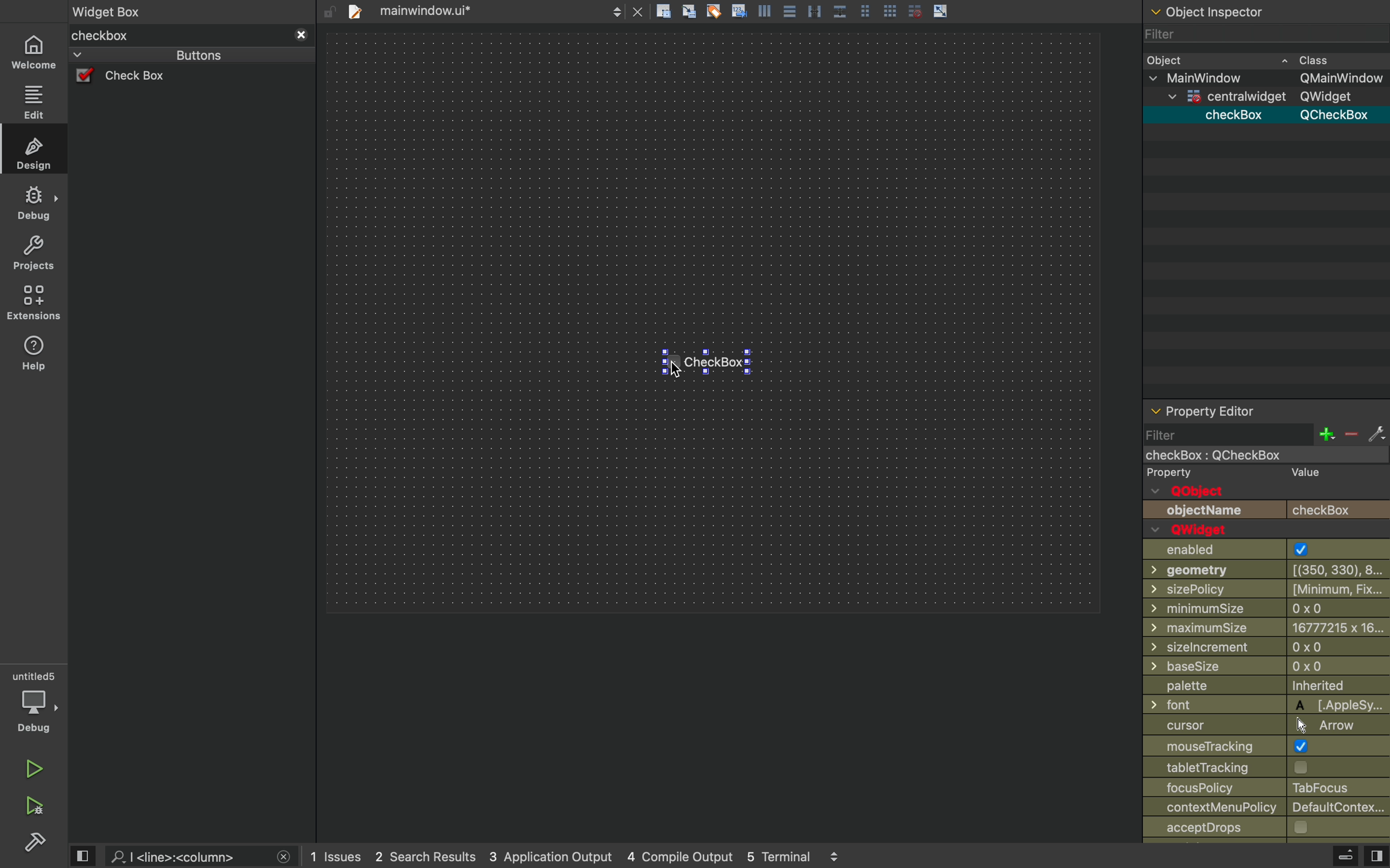 The width and height of the screenshot is (1390, 868). Describe the element at coordinates (301, 36) in the screenshot. I see `close` at that location.